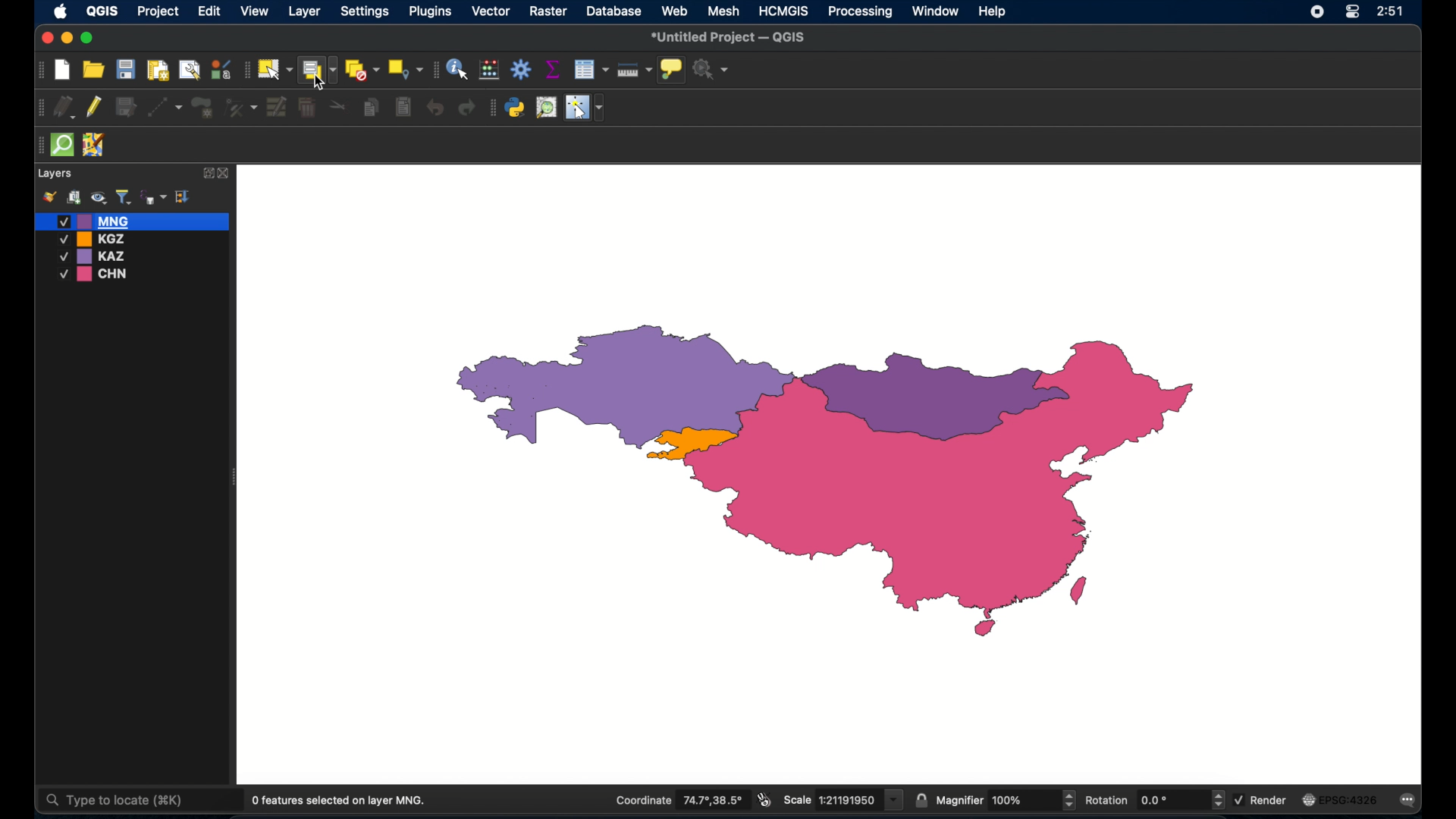  Describe the element at coordinates (492, 108) in the screenshot. I see `plugins` at that location.